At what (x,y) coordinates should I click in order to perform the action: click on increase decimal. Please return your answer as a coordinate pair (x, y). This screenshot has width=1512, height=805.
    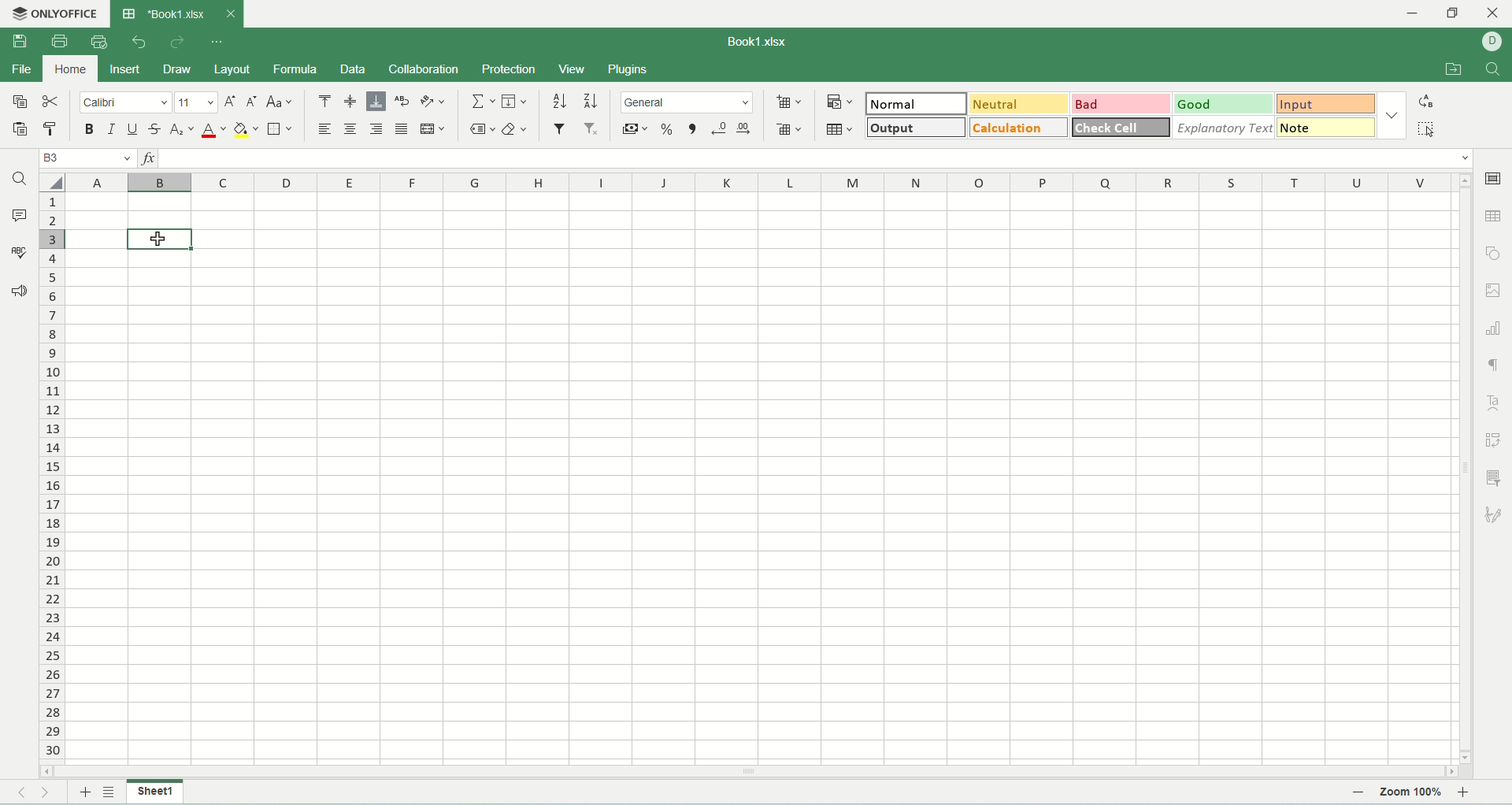
    Looking at the image, I should click on (746, 129).